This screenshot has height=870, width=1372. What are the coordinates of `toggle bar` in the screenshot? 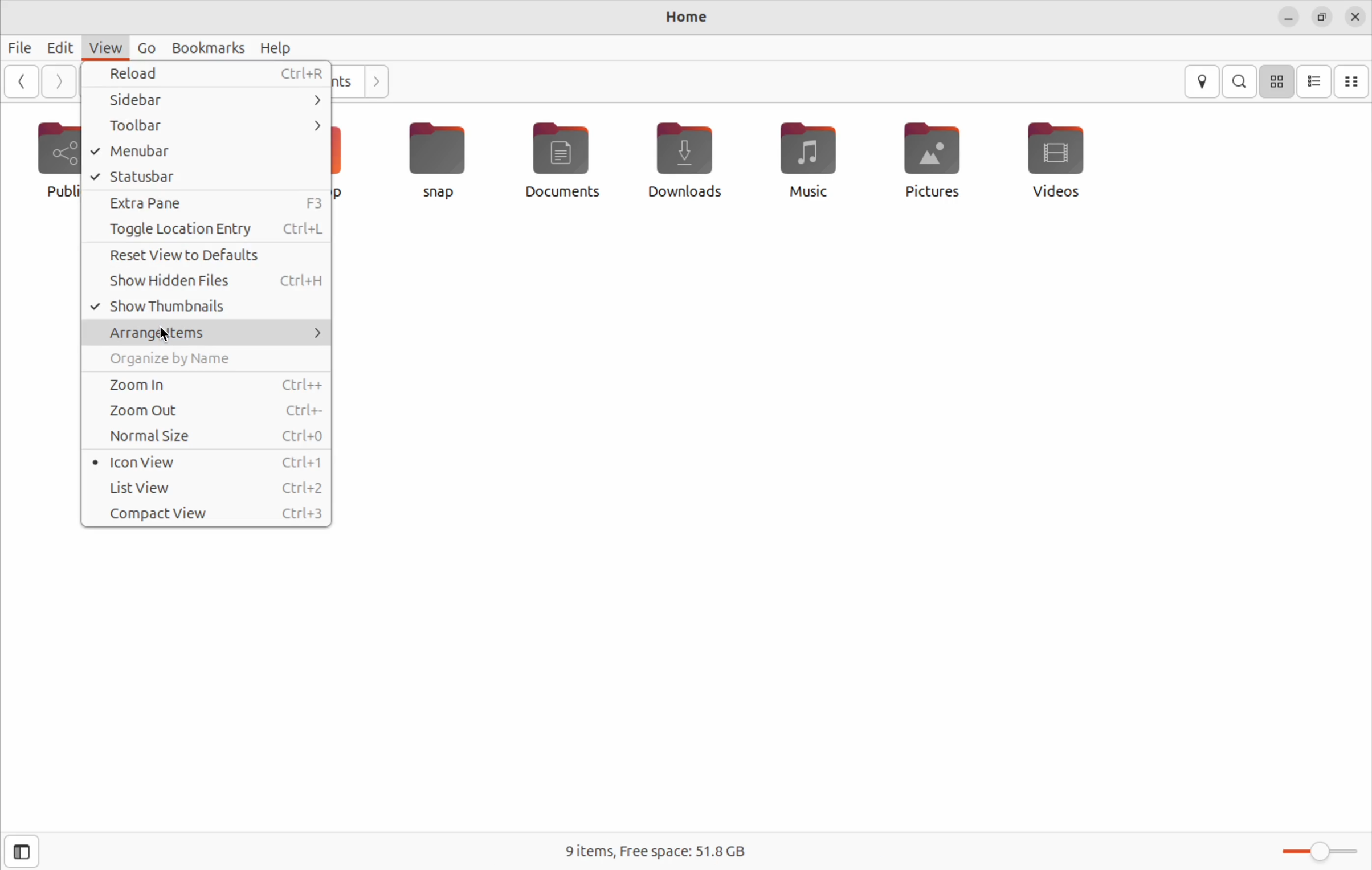 It's located at (1314, 851).